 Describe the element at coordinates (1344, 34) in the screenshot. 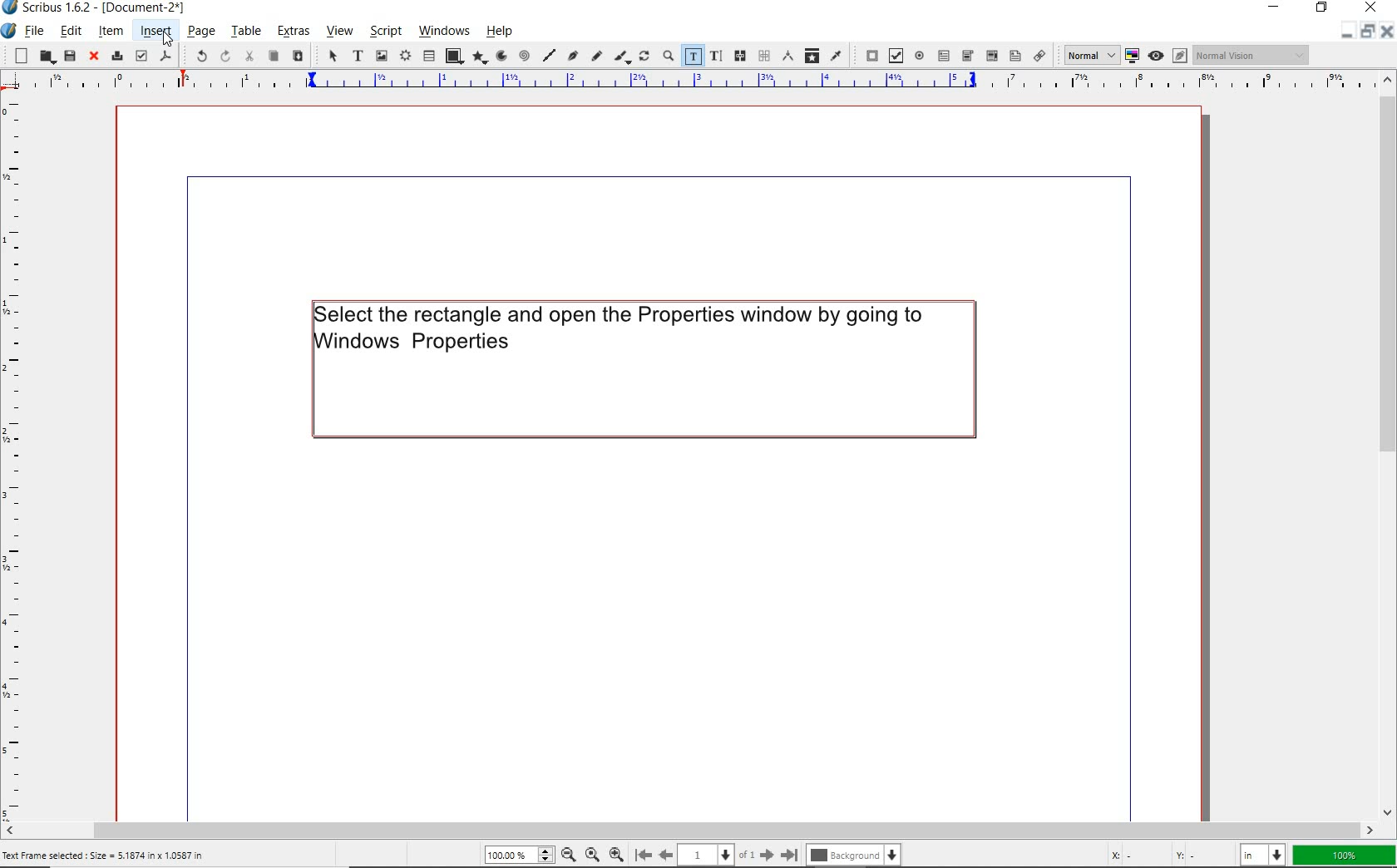

I see `minimise` at that location.